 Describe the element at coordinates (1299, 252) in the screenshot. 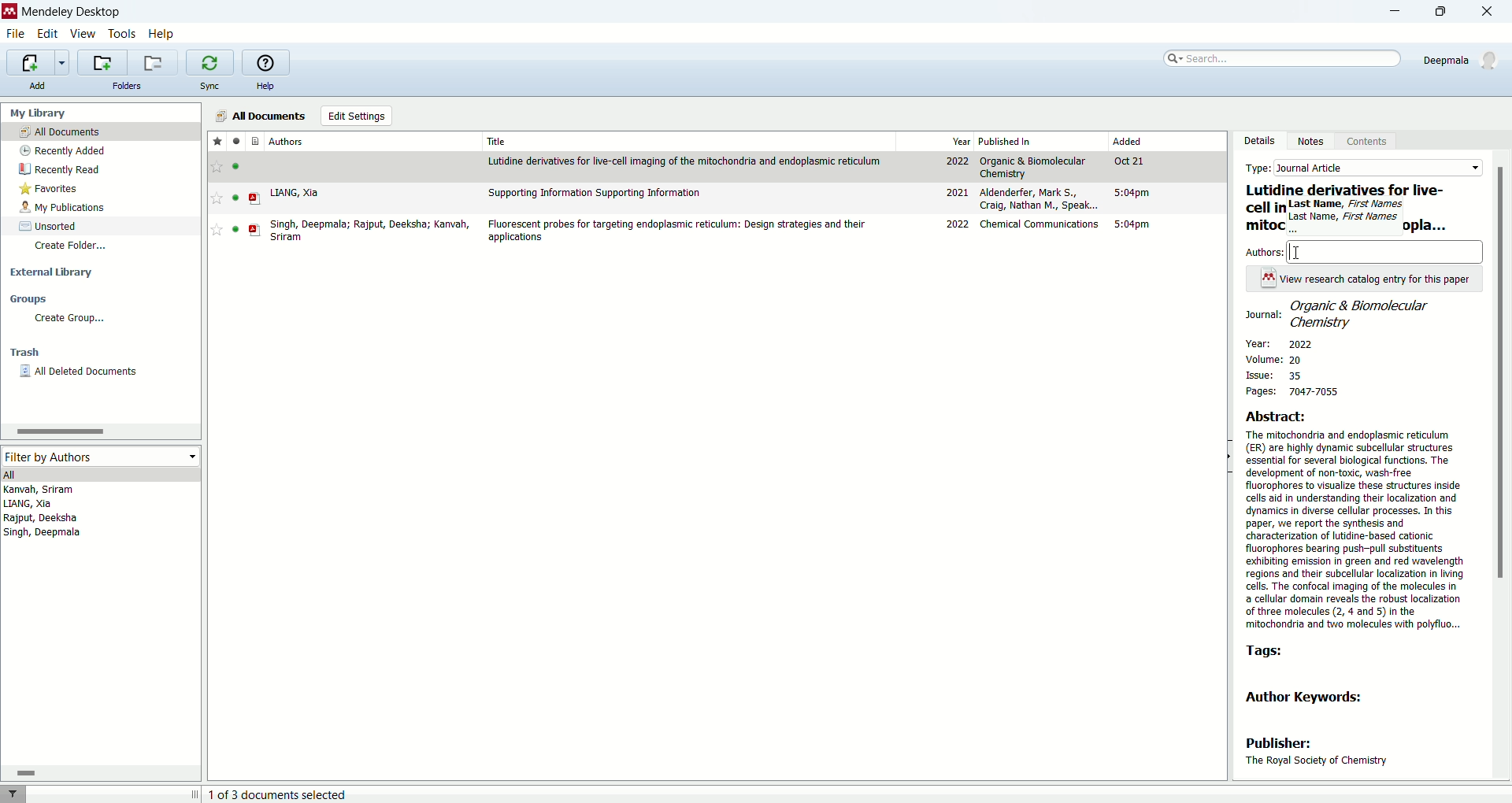

I see `Cursor` at that location.